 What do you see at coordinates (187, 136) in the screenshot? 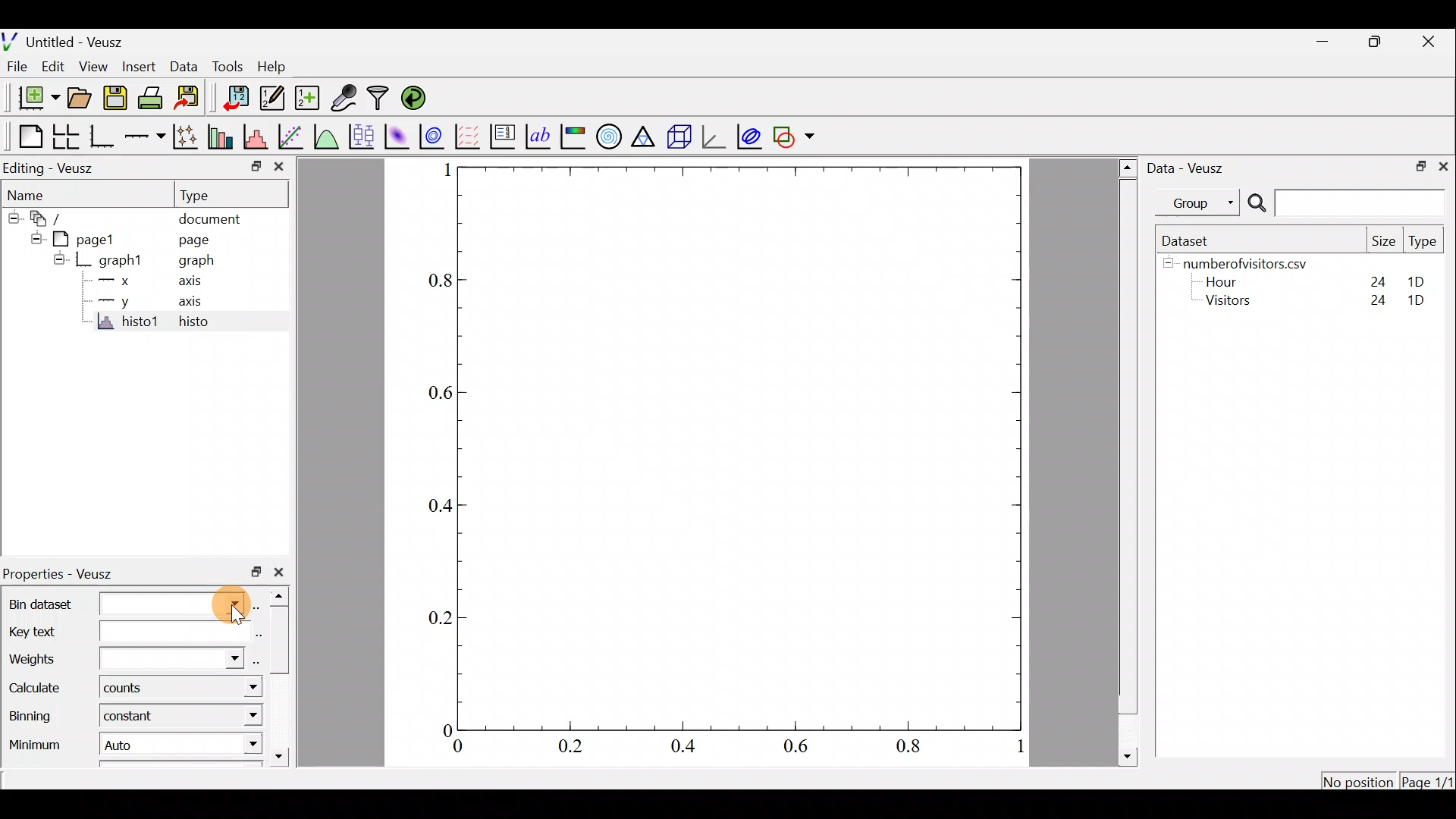
I see `plot points with lines and error bars` at bounding box center [187, 136].